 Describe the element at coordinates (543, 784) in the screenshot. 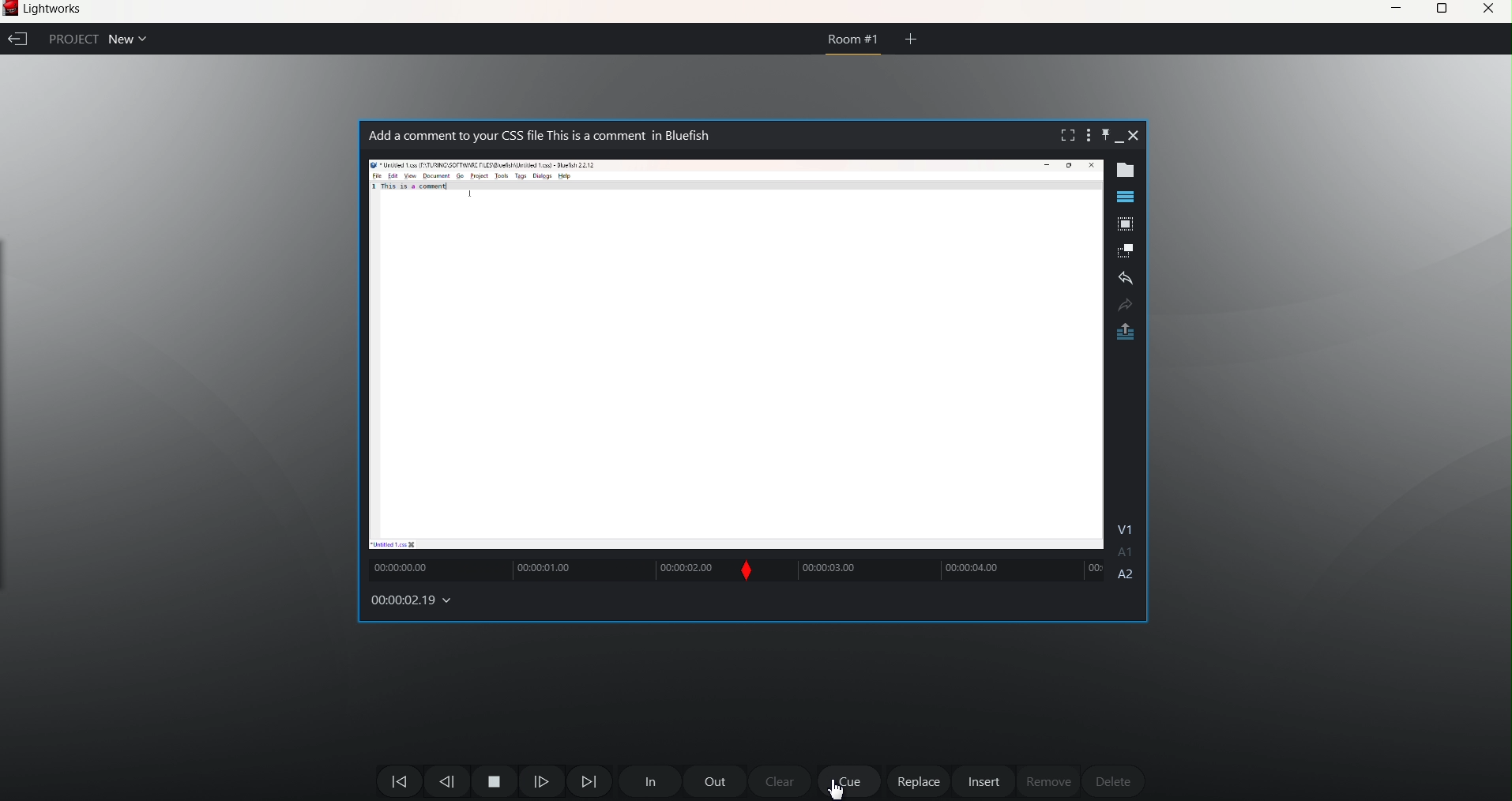

I see `Move One frame next` at that location.